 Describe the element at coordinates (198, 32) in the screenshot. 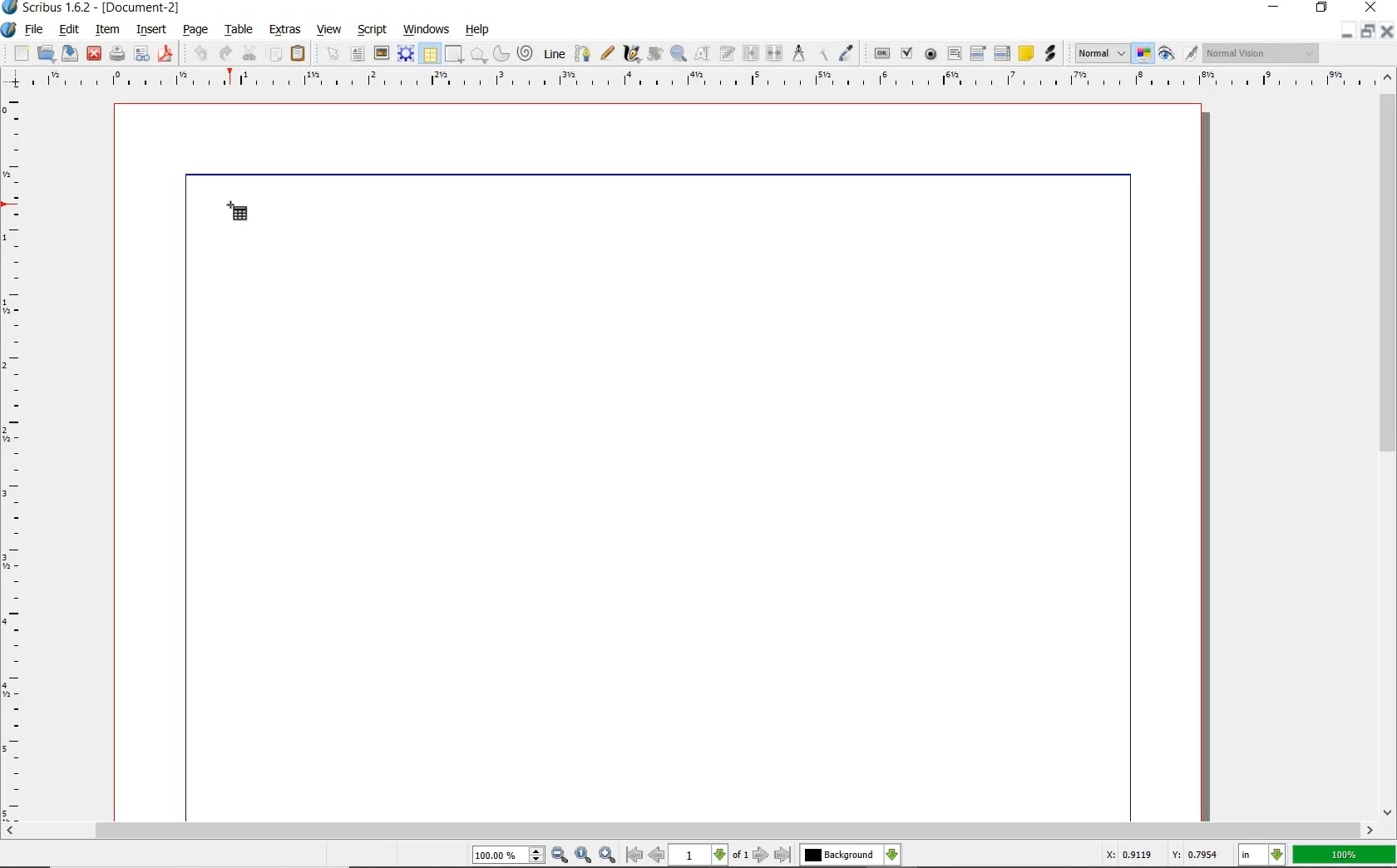

I see `page` at that location.